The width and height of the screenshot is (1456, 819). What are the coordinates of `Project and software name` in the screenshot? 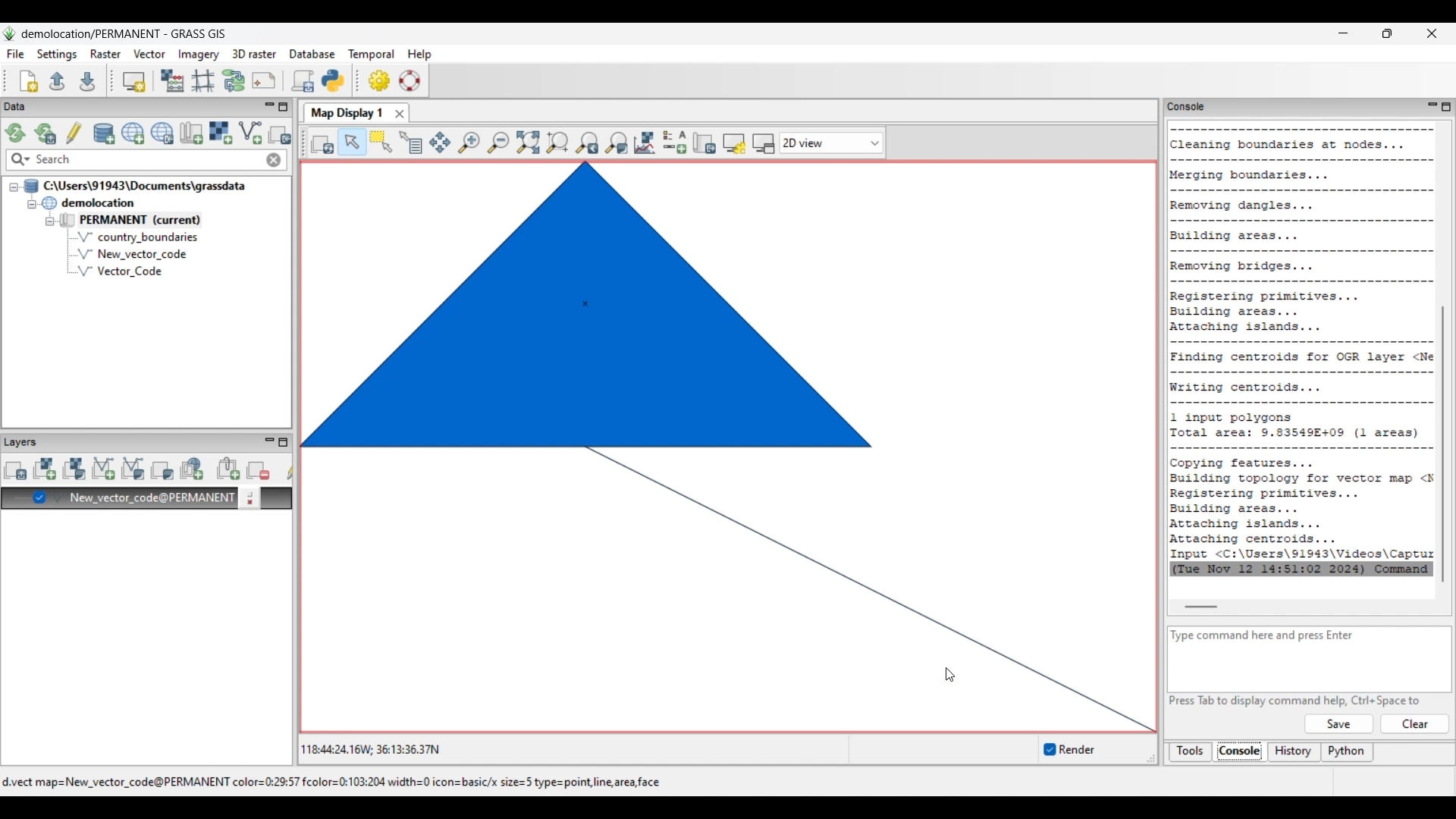 It's located at (124, 34).